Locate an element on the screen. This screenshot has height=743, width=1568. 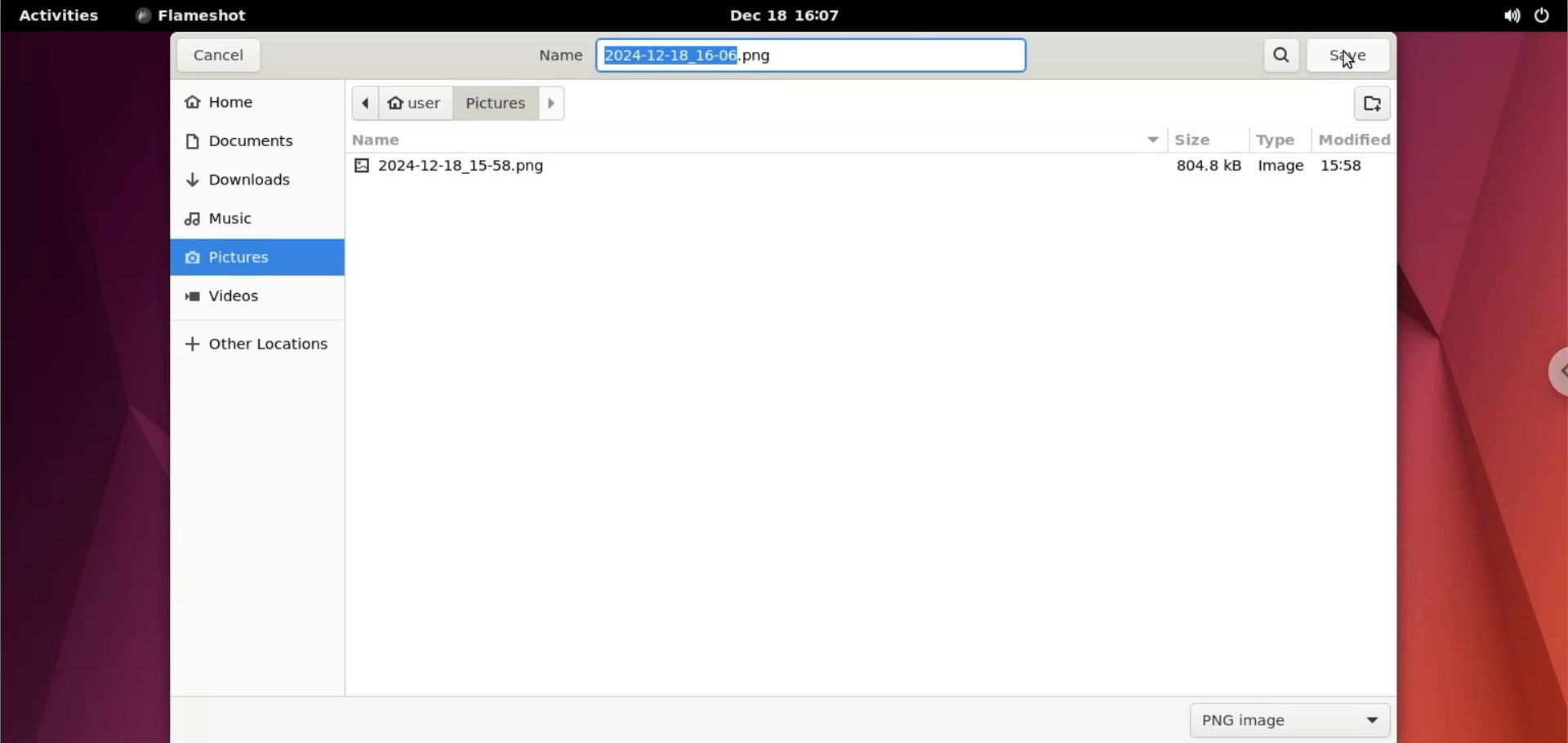
music is located at coordinates (239, 218).